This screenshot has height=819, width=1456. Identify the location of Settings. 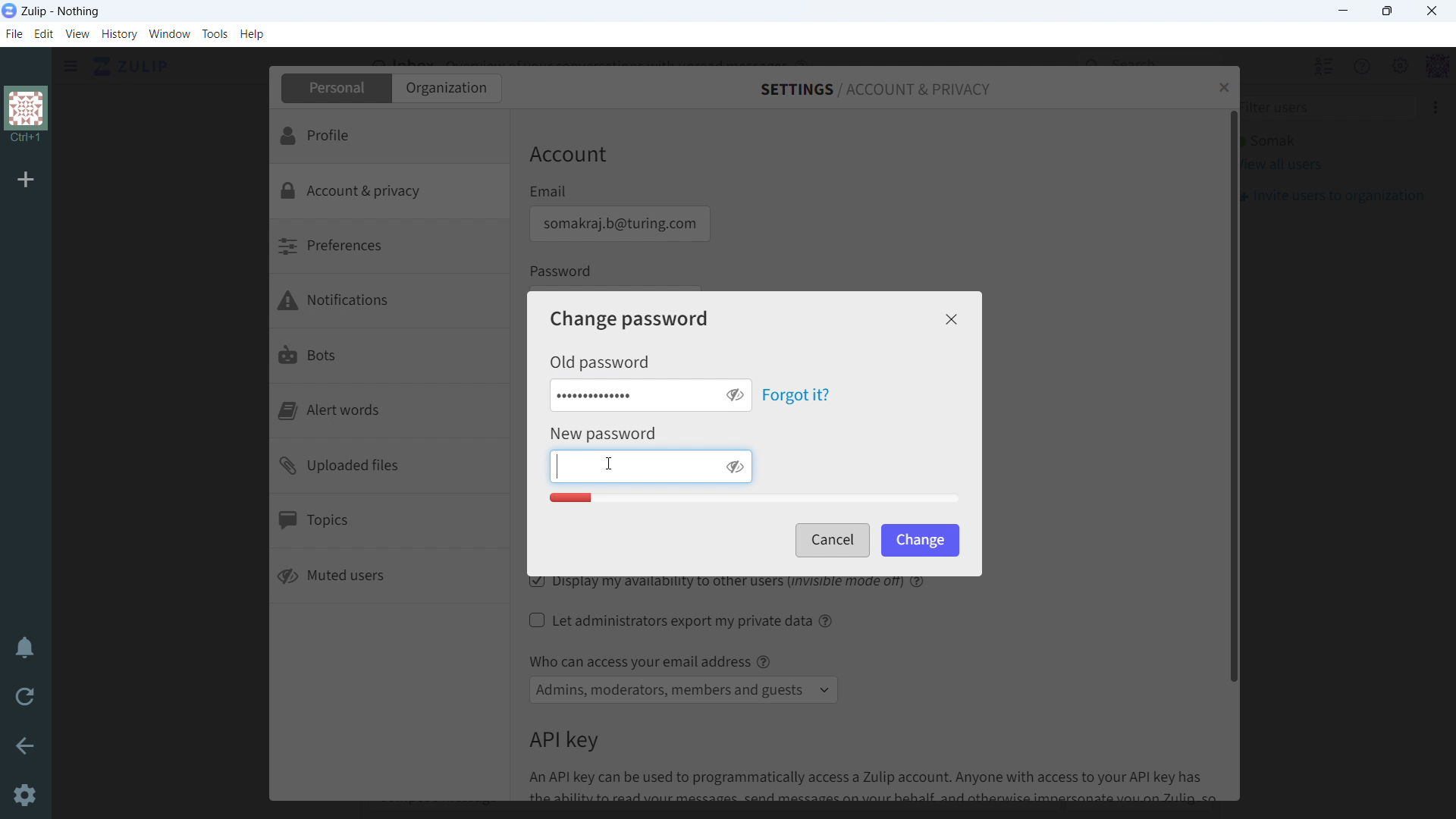
(26, 795).